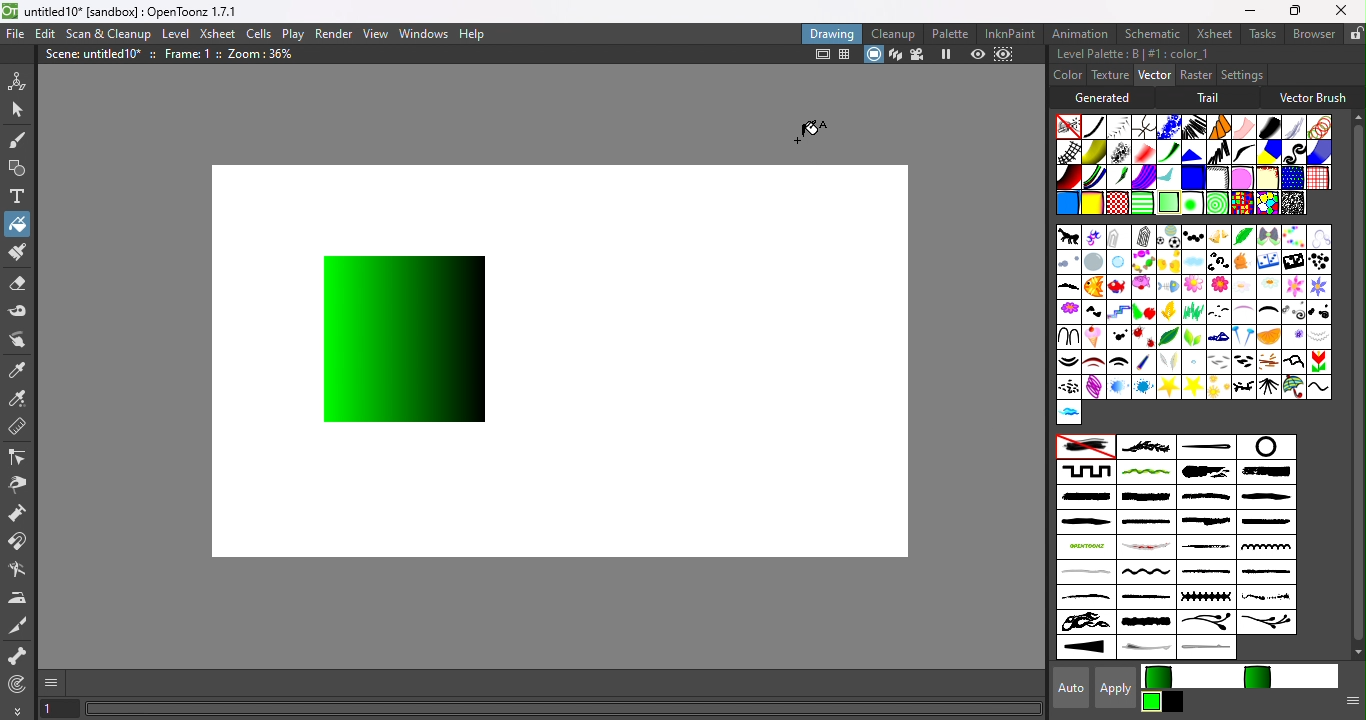 The height and width of the screenshot is (720, 1366). What do you see at coordinates (1313, 95) in the screenshot?
I see `Vector Brush` at bounding box center [1313, 95].